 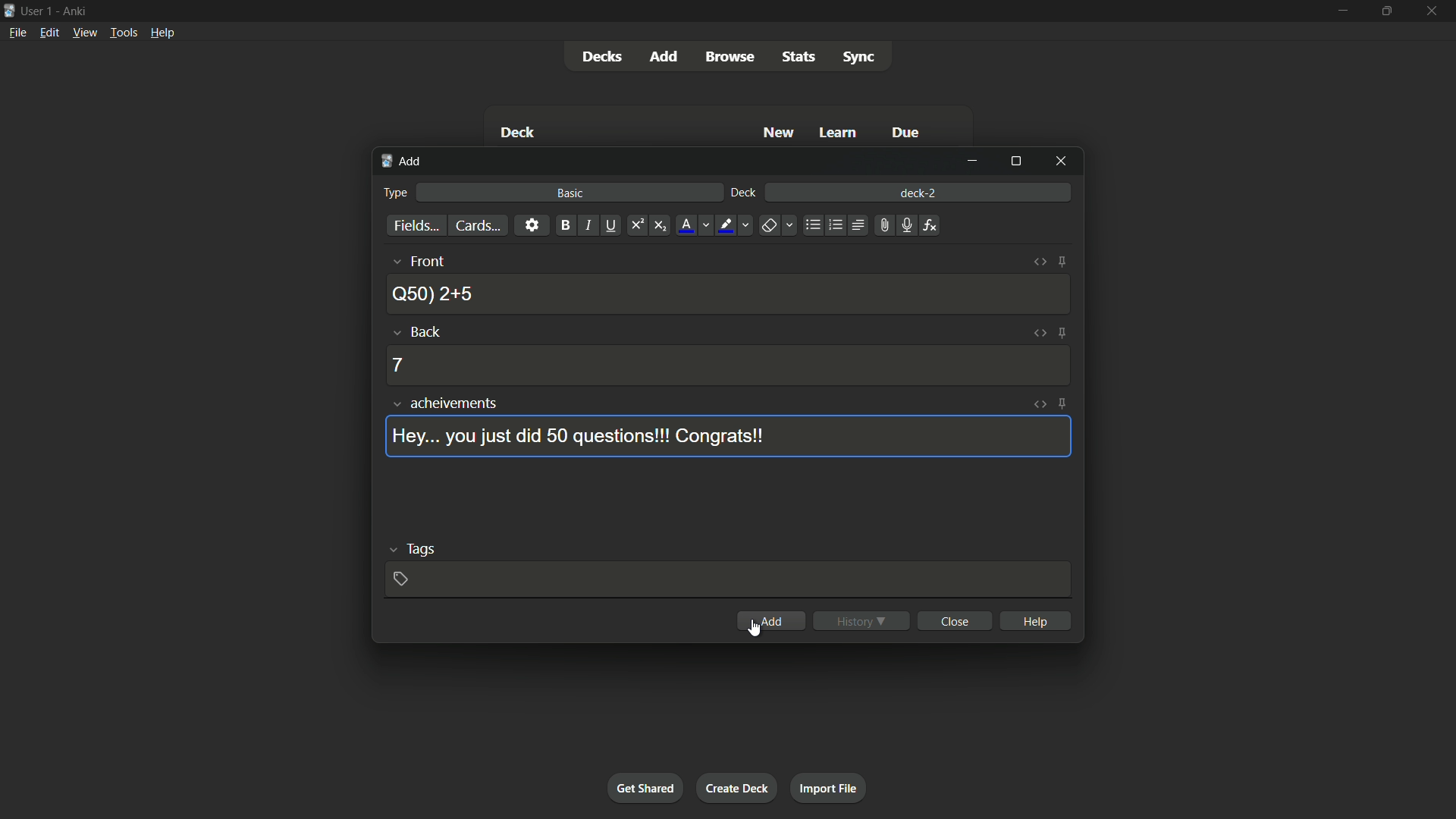 I want to click on superscript, so click(x=636, y=225).